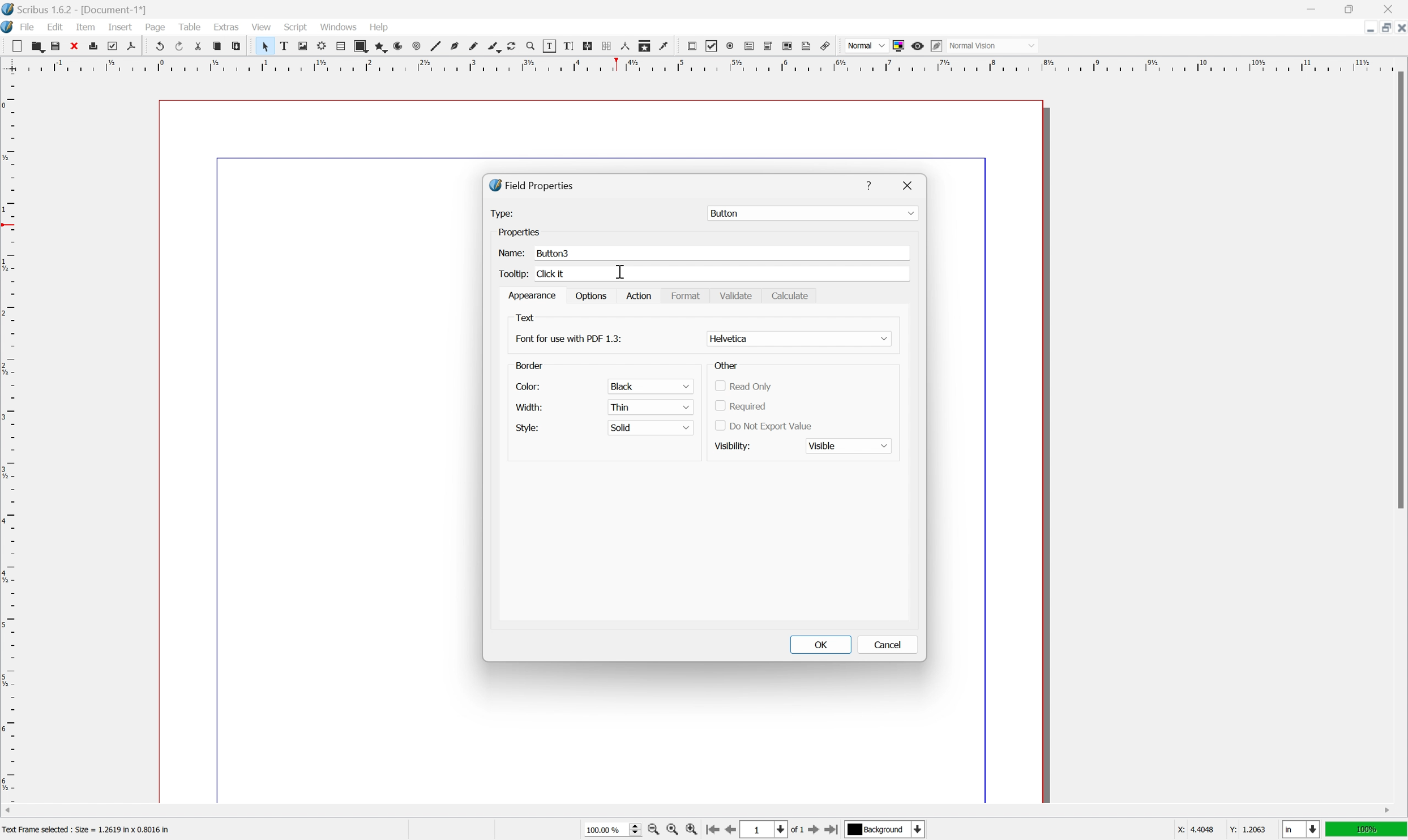 The image size is (1408, 840). I want to click on pdf radio button, so click(730, 46).